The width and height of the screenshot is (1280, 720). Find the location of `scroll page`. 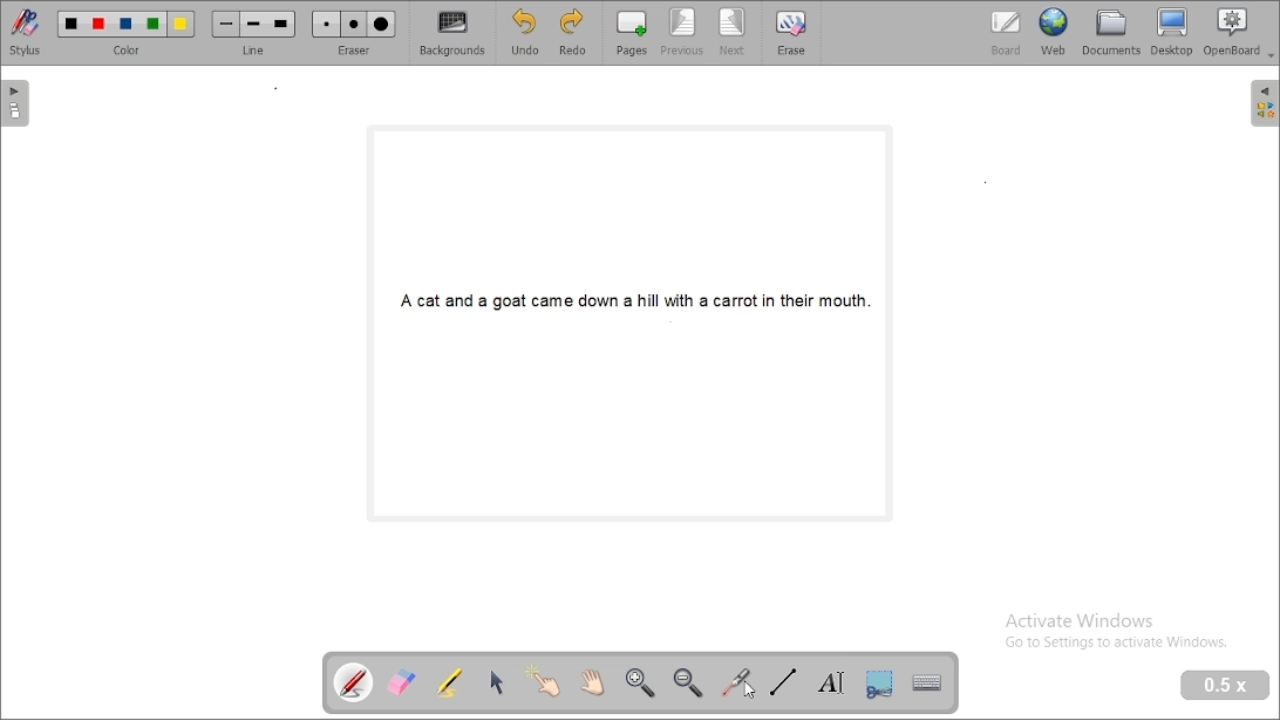

scroll page is located at coordinates (593, 683).